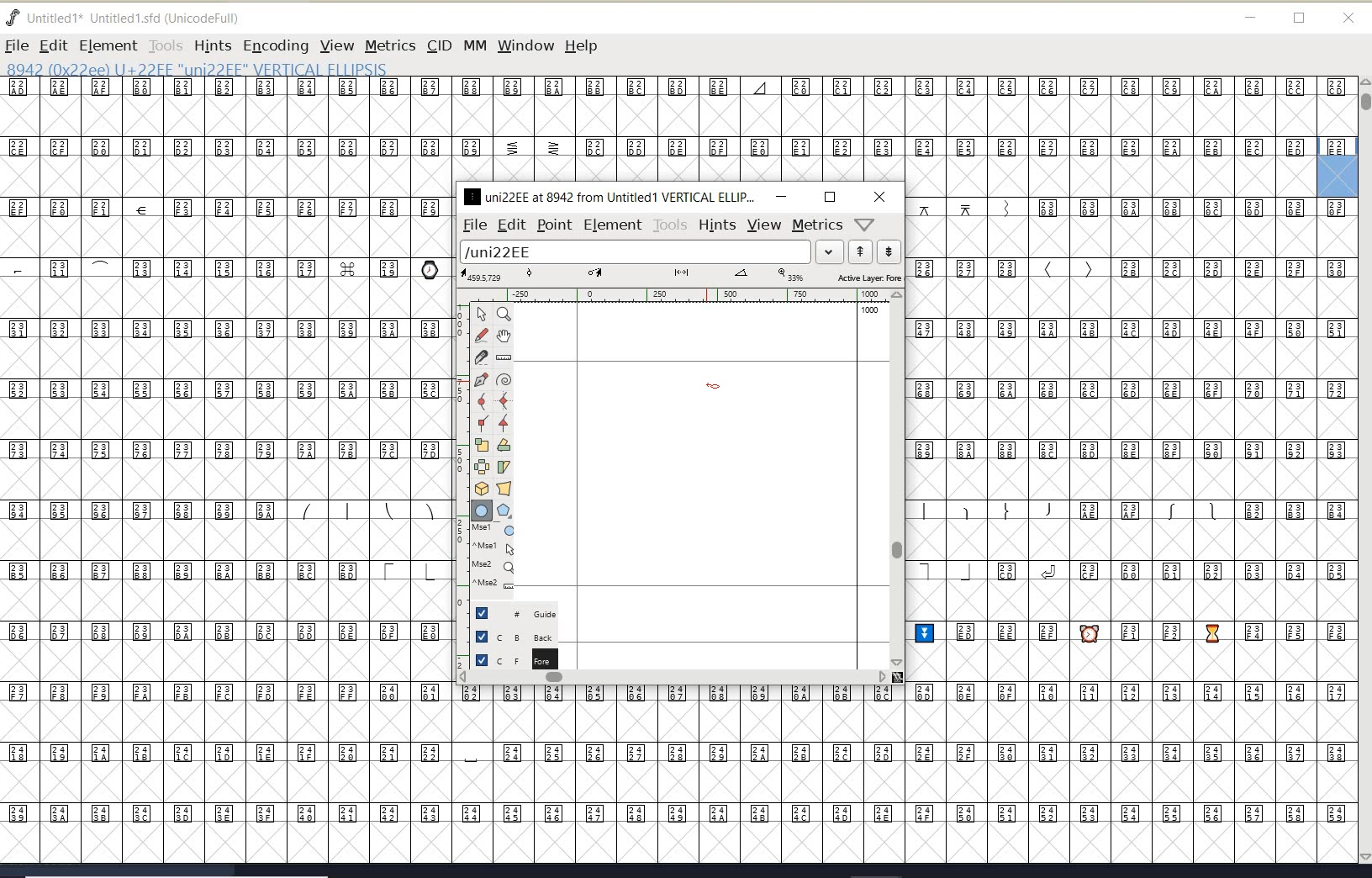  What do you see at coordinates (517, 636) in the screenshot?
I see `background` at bounding box center [517, 636].